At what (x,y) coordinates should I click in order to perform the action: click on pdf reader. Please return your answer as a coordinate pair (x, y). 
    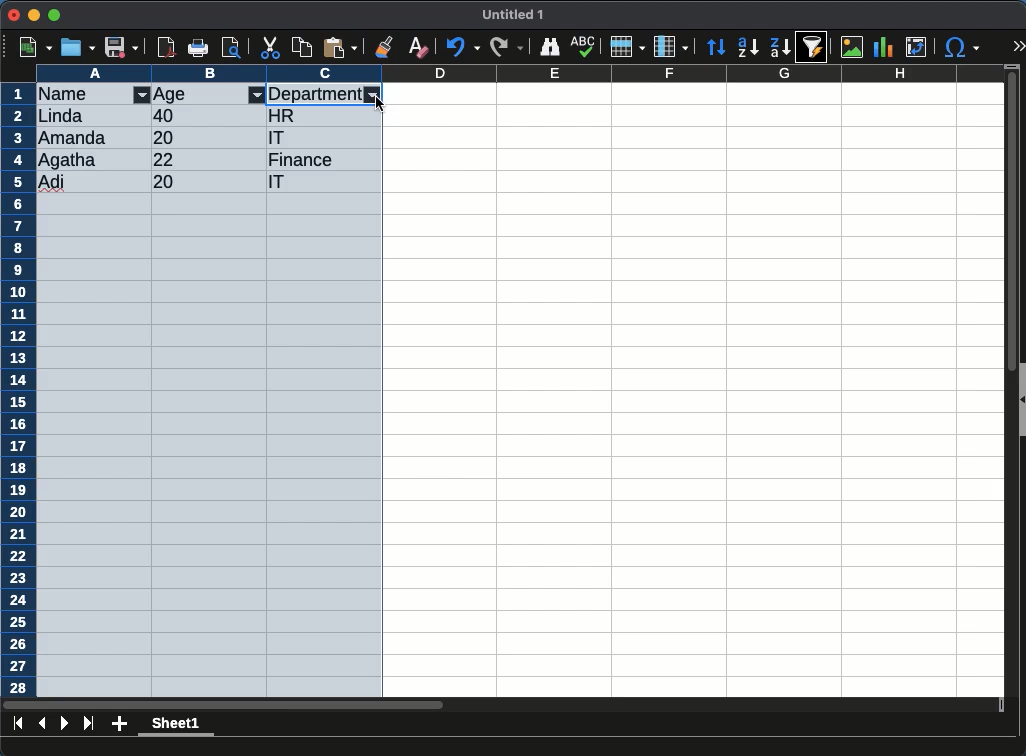
    Looking at the image, I should click on (166, 49).